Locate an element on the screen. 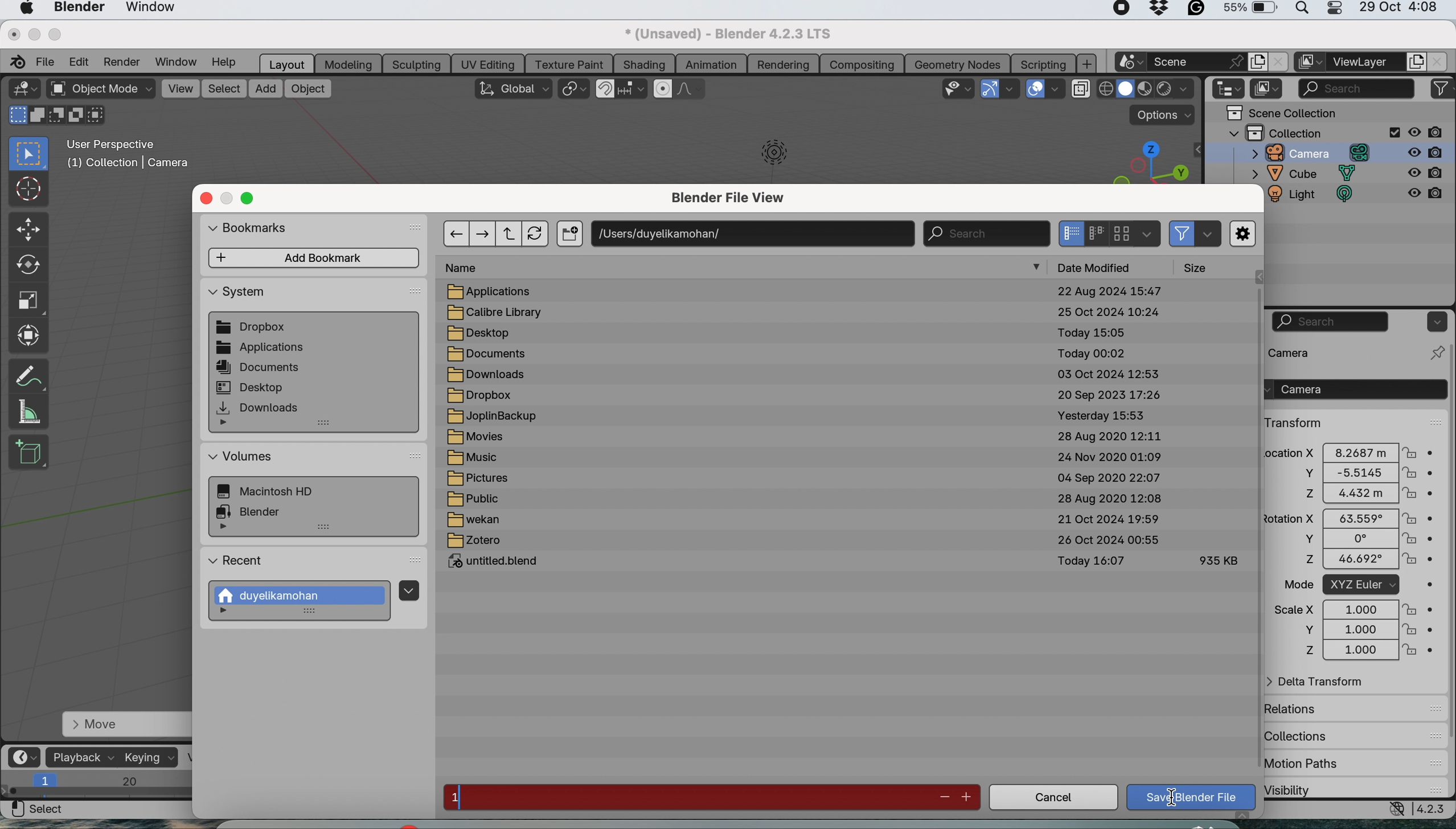 This screenshot has width=1456, height=829. preset views is located at coordinates (1143, 162).